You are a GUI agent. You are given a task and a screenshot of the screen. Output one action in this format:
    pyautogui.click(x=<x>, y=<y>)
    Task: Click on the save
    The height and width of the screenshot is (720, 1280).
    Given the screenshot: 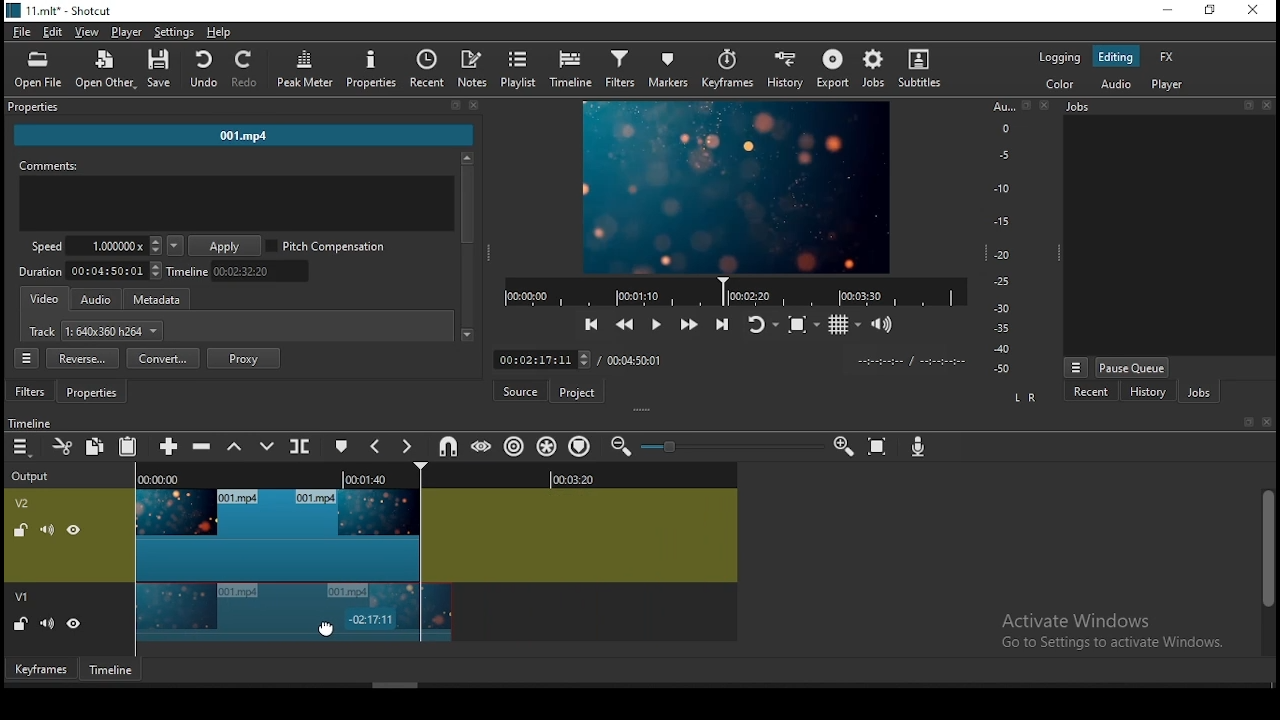 What is the action you would take?
    pyautogui.click(x=159, y=68)
    